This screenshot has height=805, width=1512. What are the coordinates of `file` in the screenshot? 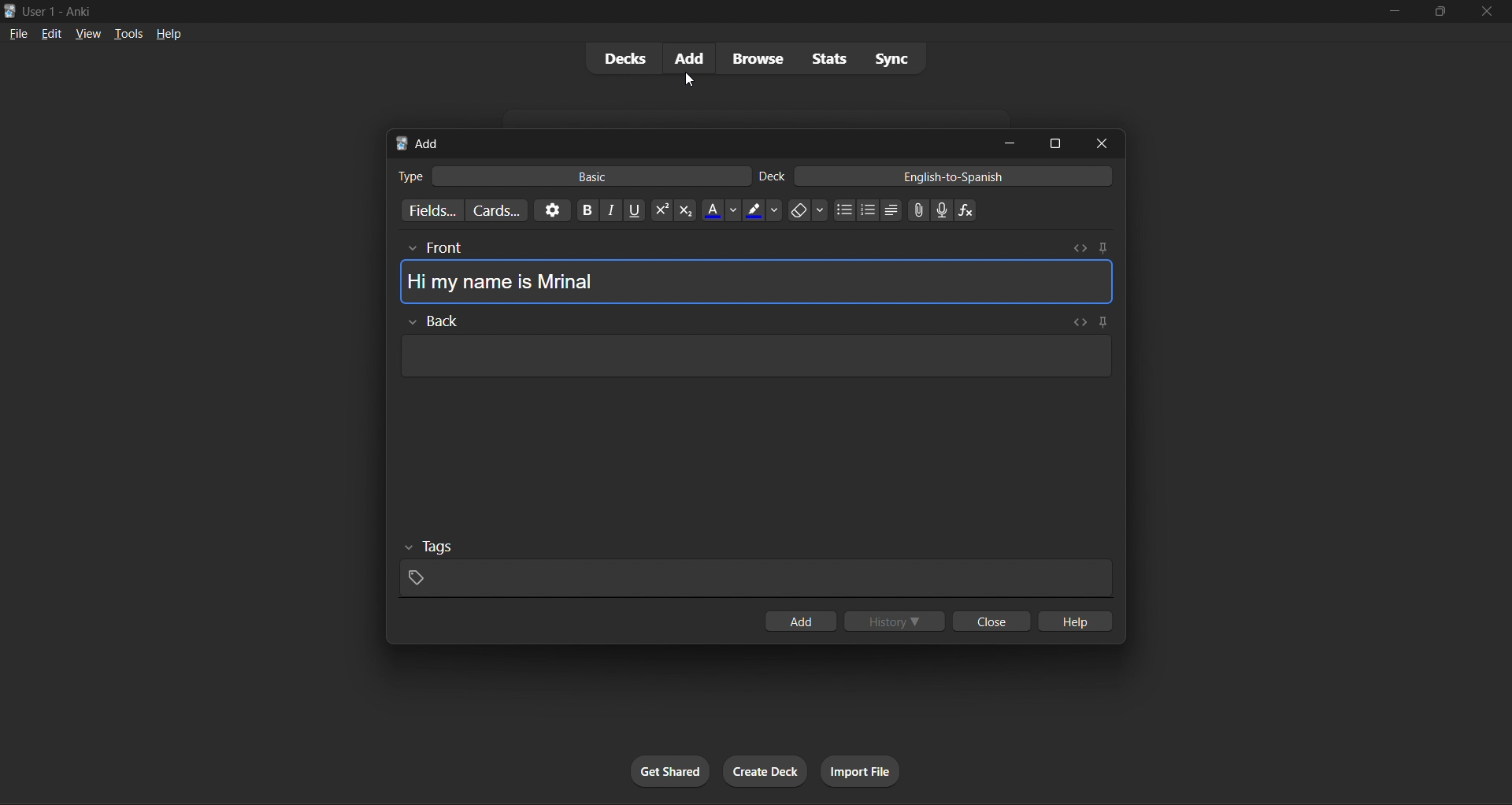 It's located at (17, 32).